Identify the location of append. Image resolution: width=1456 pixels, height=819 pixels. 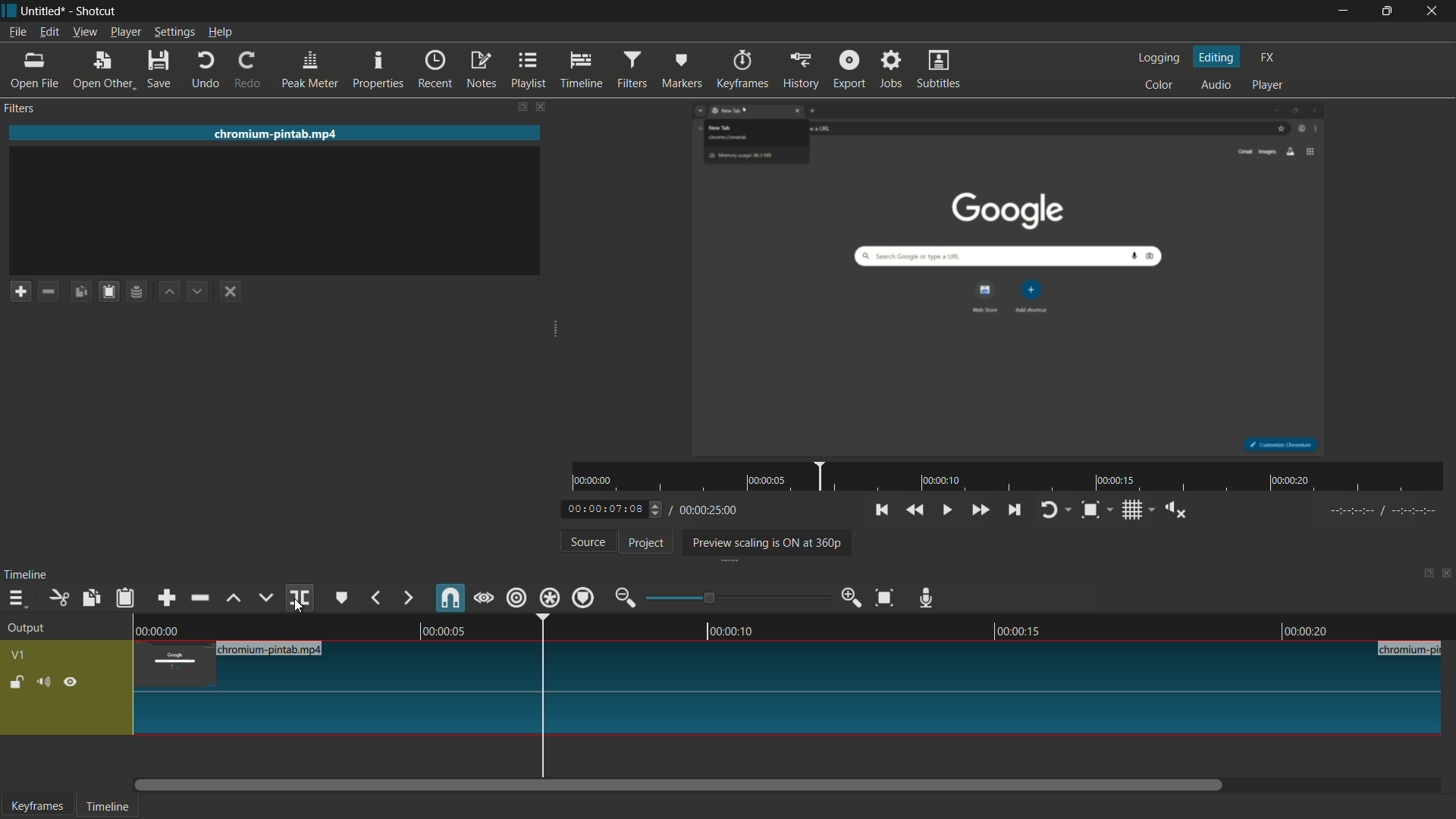
(165, 599).